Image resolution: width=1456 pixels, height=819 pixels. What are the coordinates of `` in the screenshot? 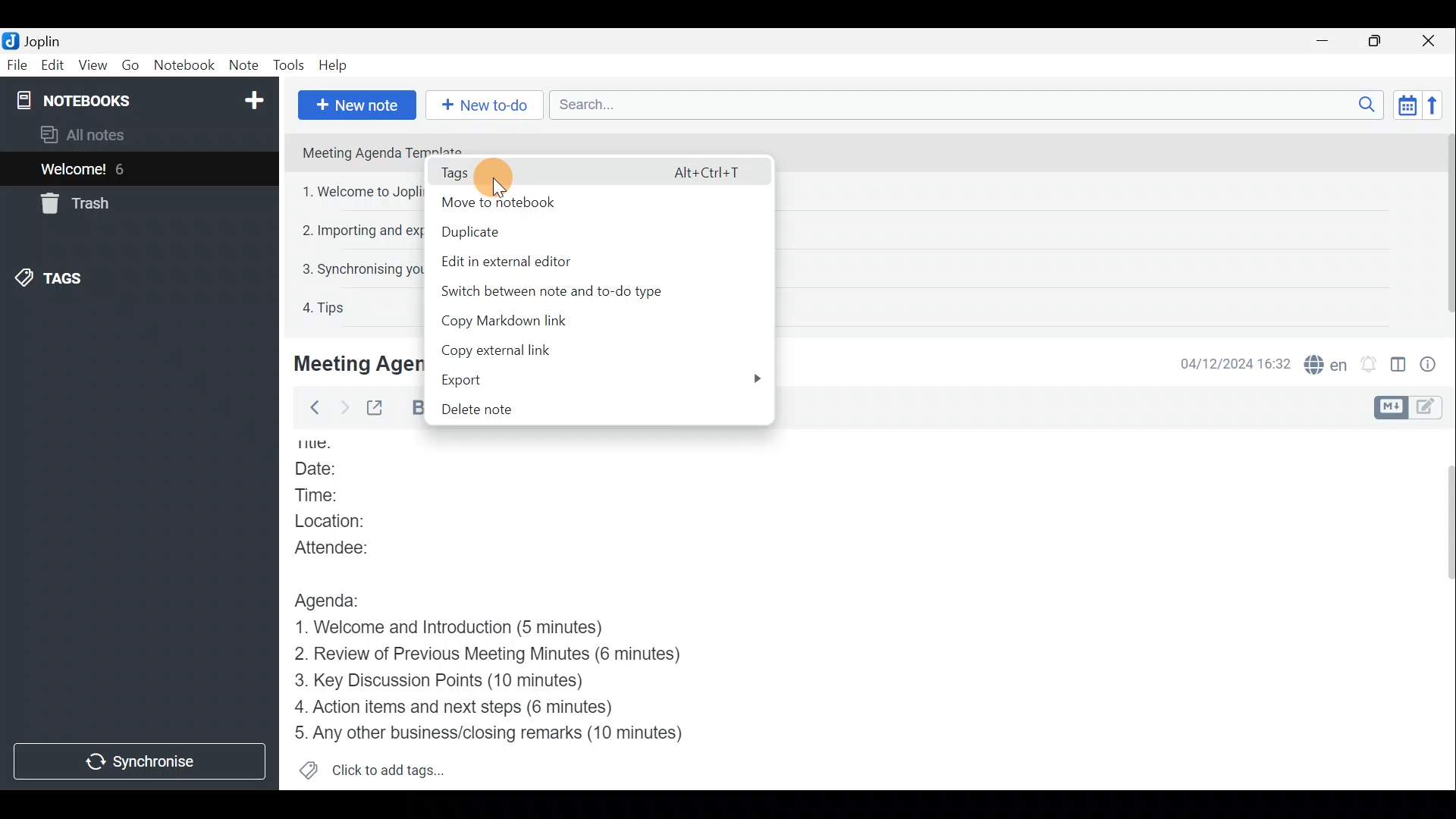 It's located at (352, 363).